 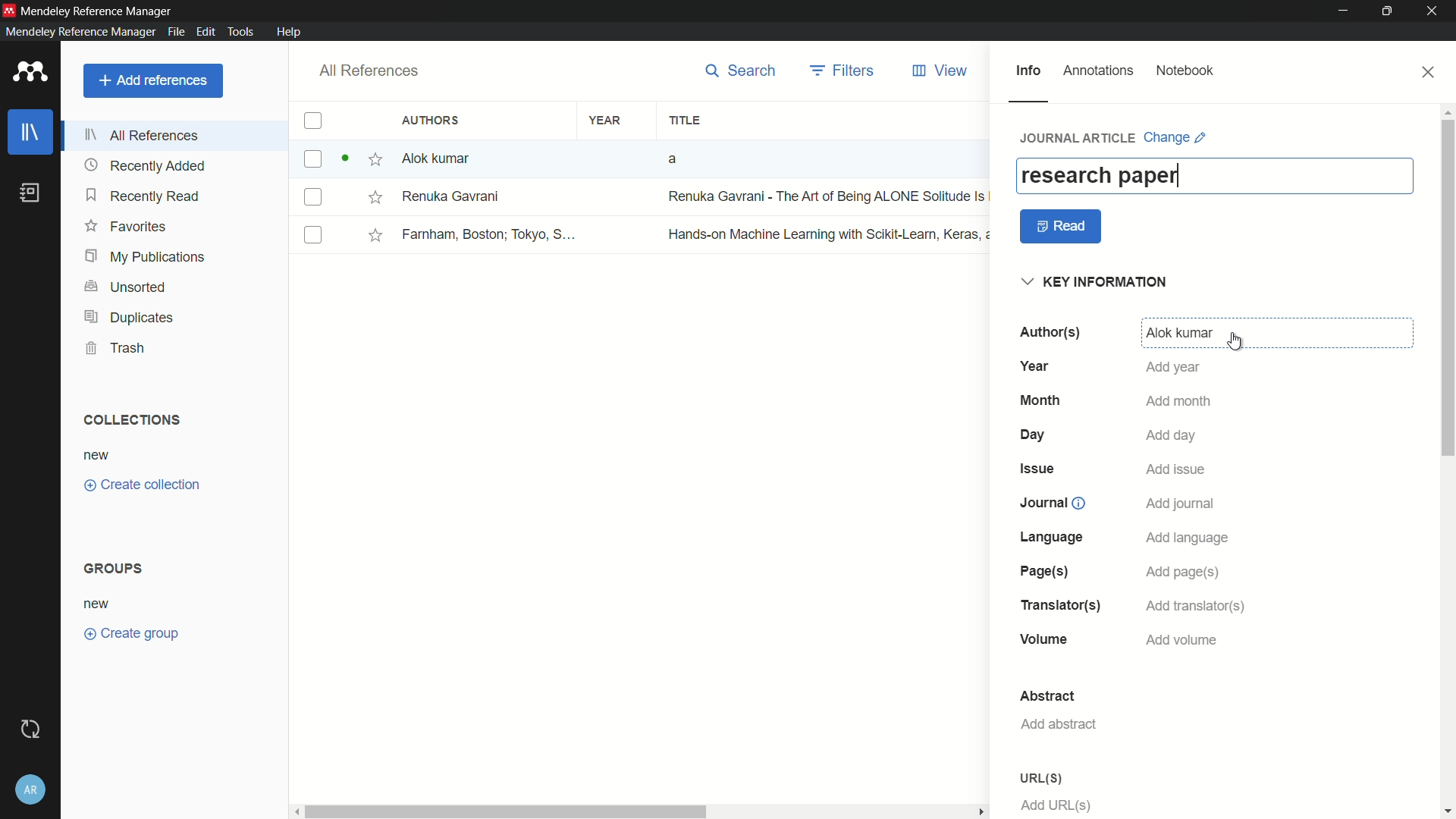 What do you see at coordinates (366, 71) in the screenshot?
I see `all references` at bounding box center [366, 71].